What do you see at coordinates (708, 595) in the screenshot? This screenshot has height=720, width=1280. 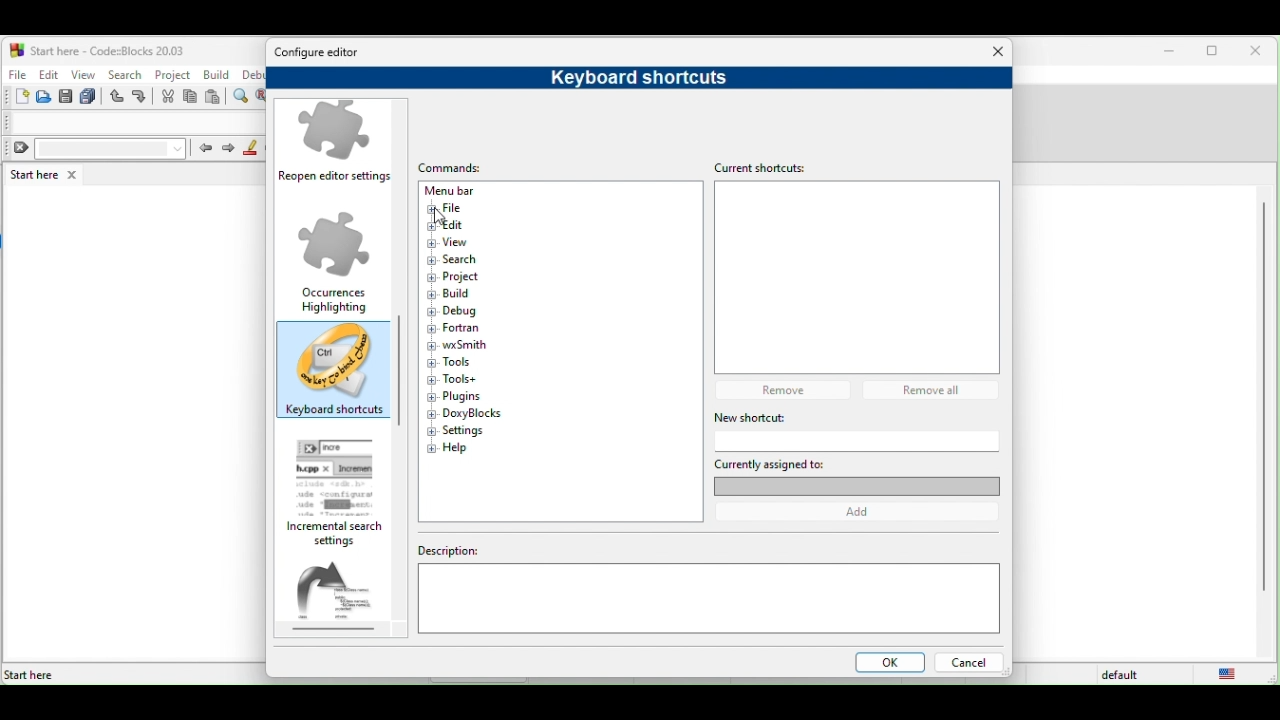 I see `description` at bounding box center [708, 595].